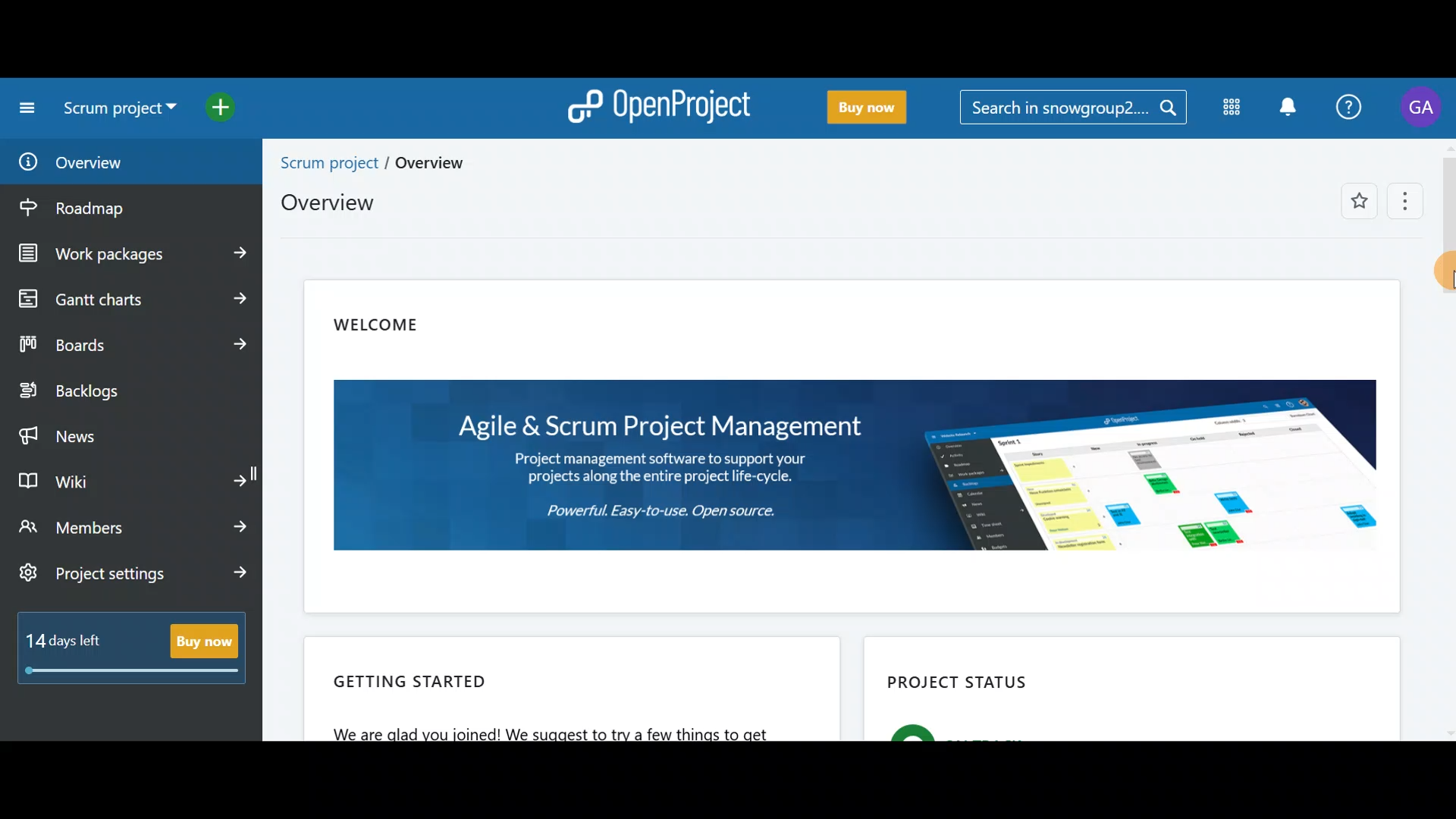  I want to click on OpenProject, so click(664, 105).